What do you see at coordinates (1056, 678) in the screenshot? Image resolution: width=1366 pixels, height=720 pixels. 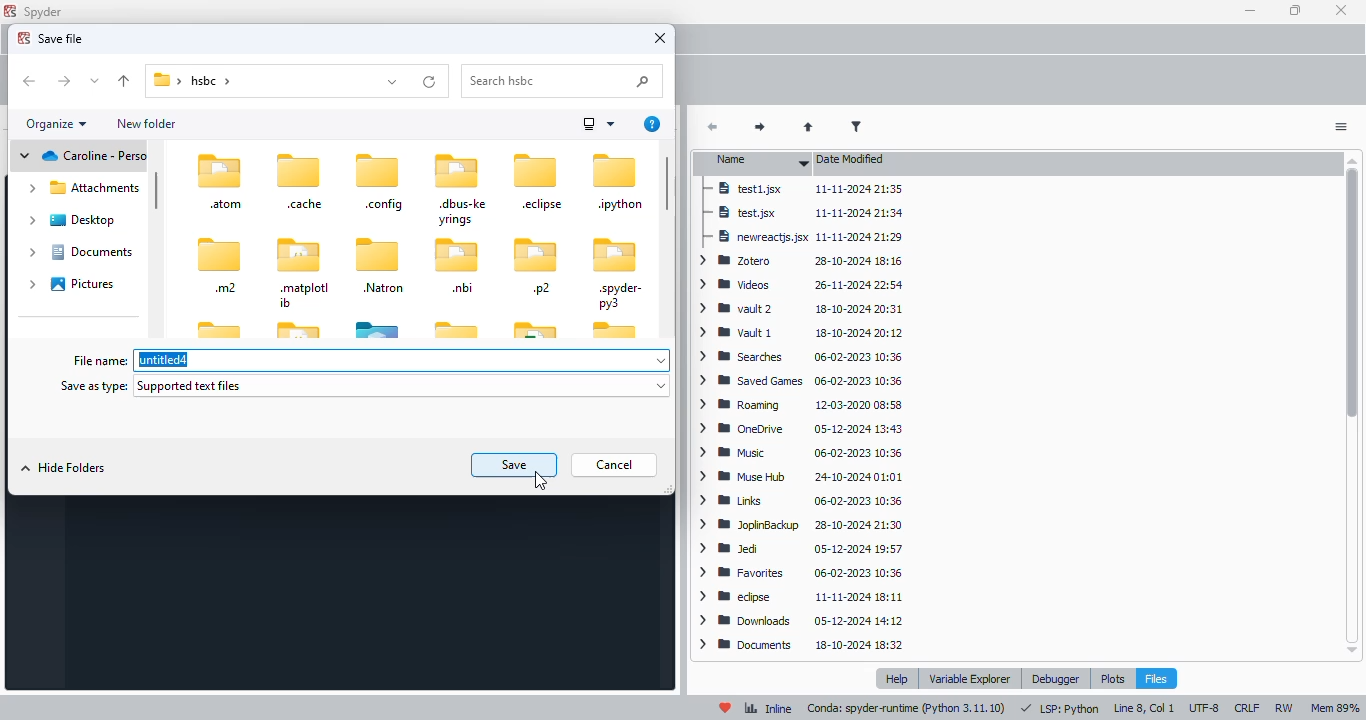 I see `debugger` at bounding box center [1056, 678].